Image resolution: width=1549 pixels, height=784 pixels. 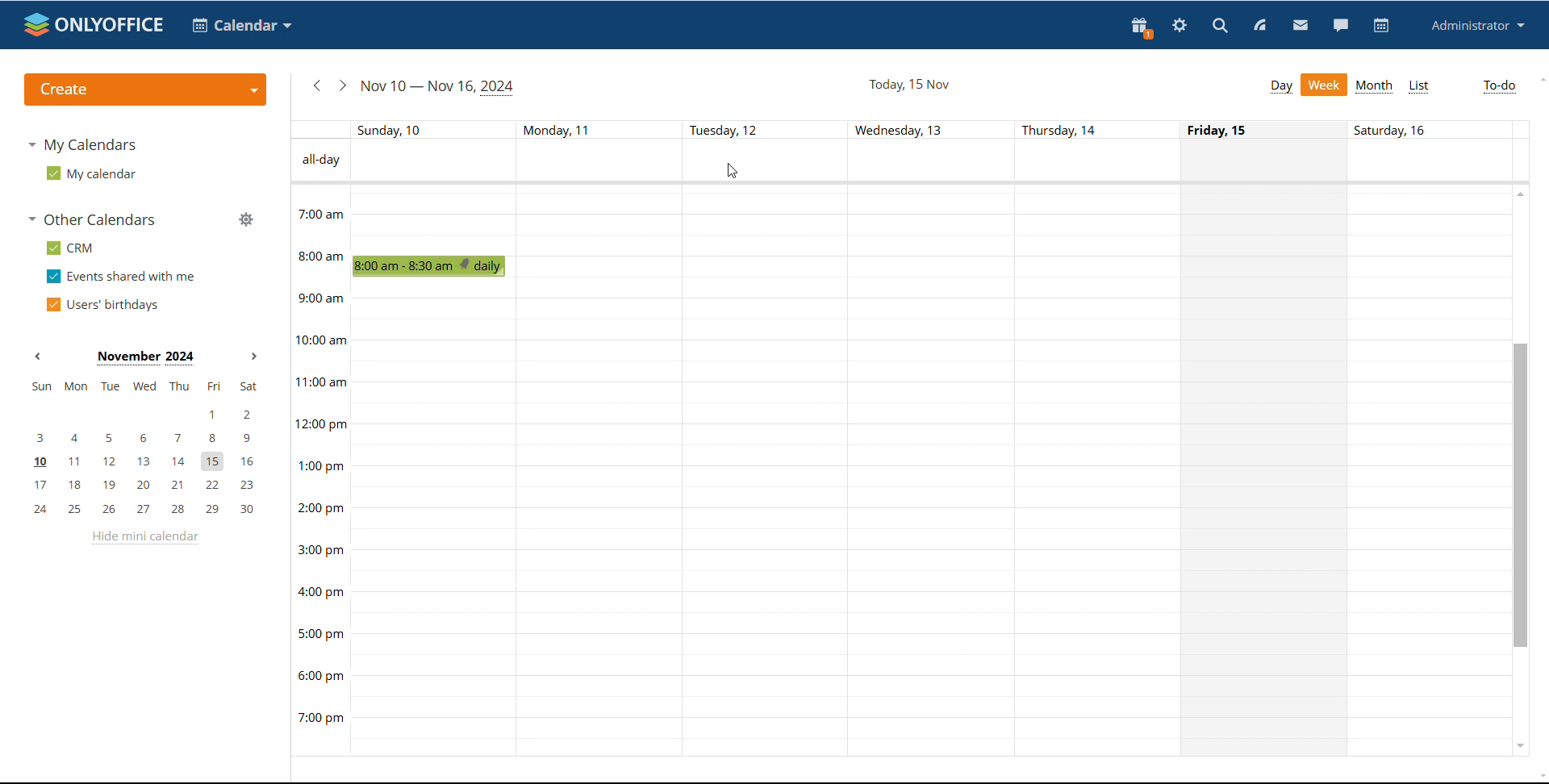 I want to click on search, so click(x=1219, y=26).